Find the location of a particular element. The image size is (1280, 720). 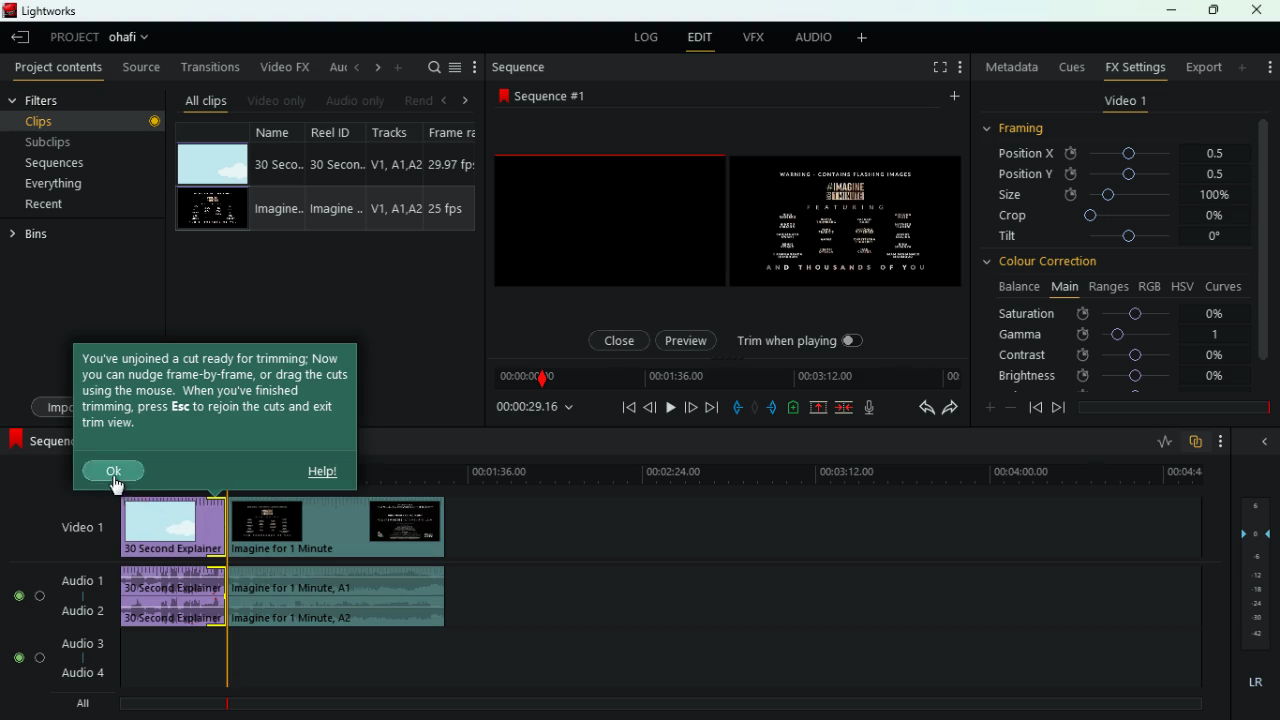

play is located at coordinates (667, 407).